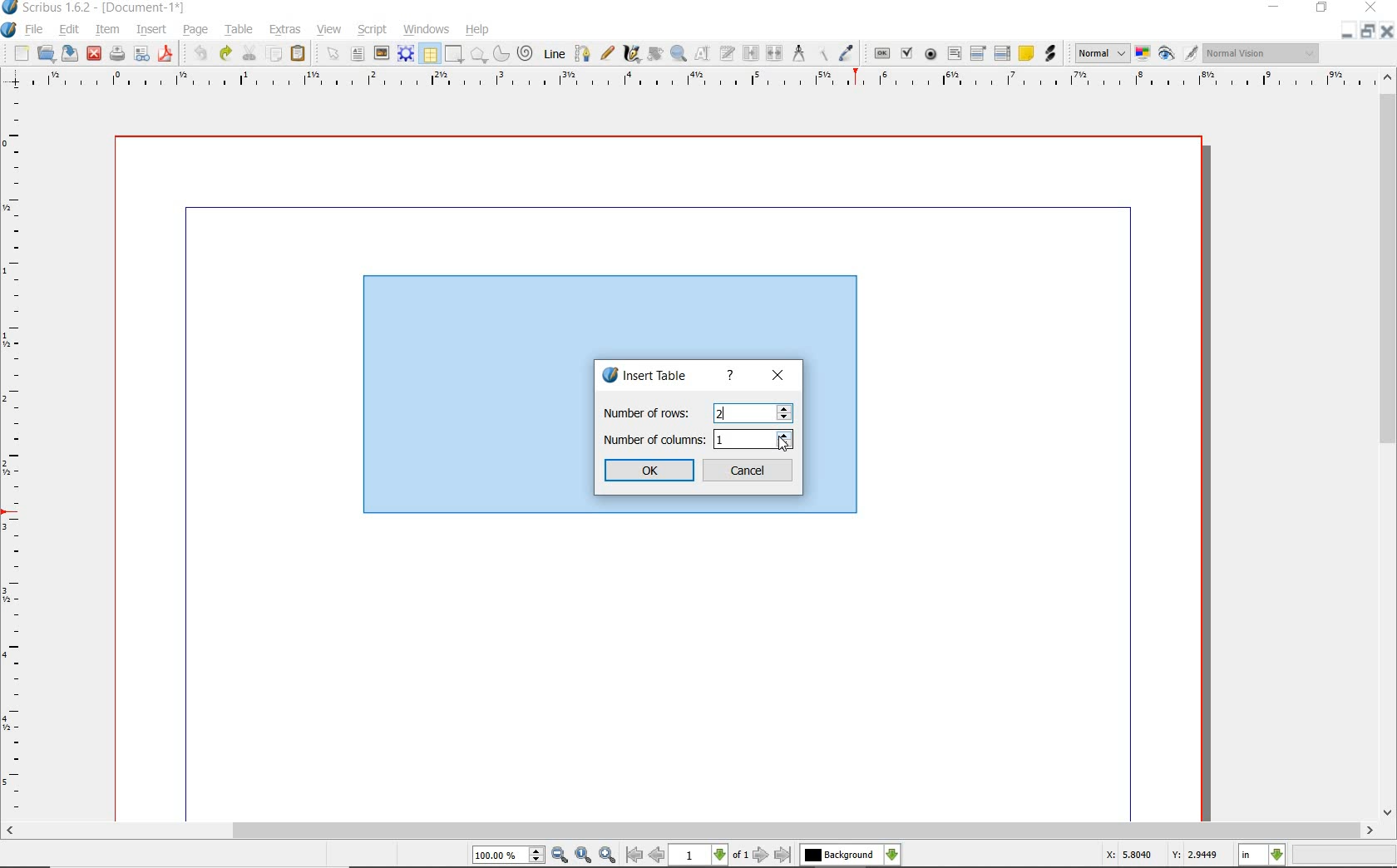 Image resolution: width=1397 pixels, height=868 pixels. I want to click on unlink text frames, so click(776, 53).